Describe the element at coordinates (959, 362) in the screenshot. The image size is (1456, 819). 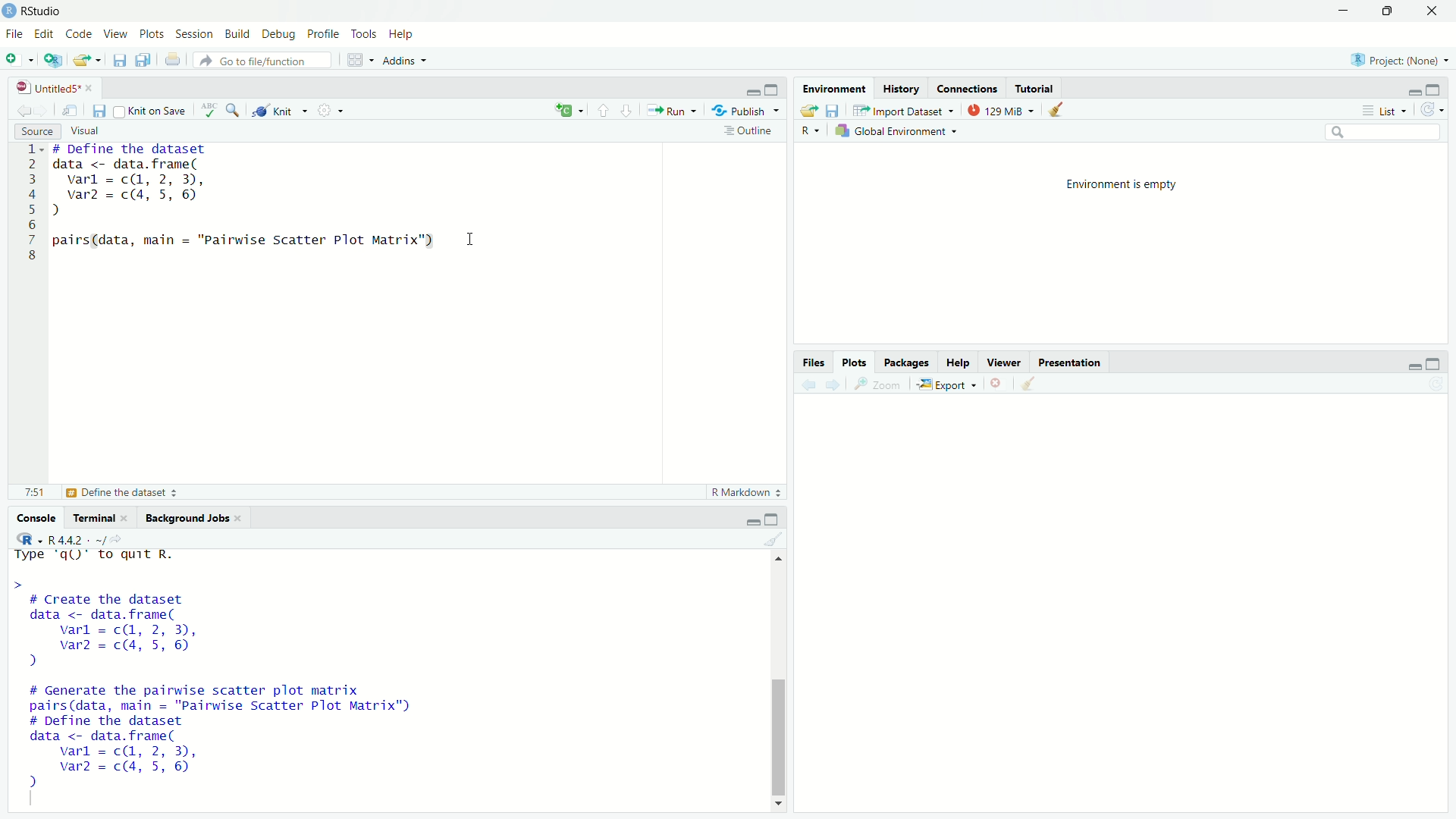
I see `Help` at that location.